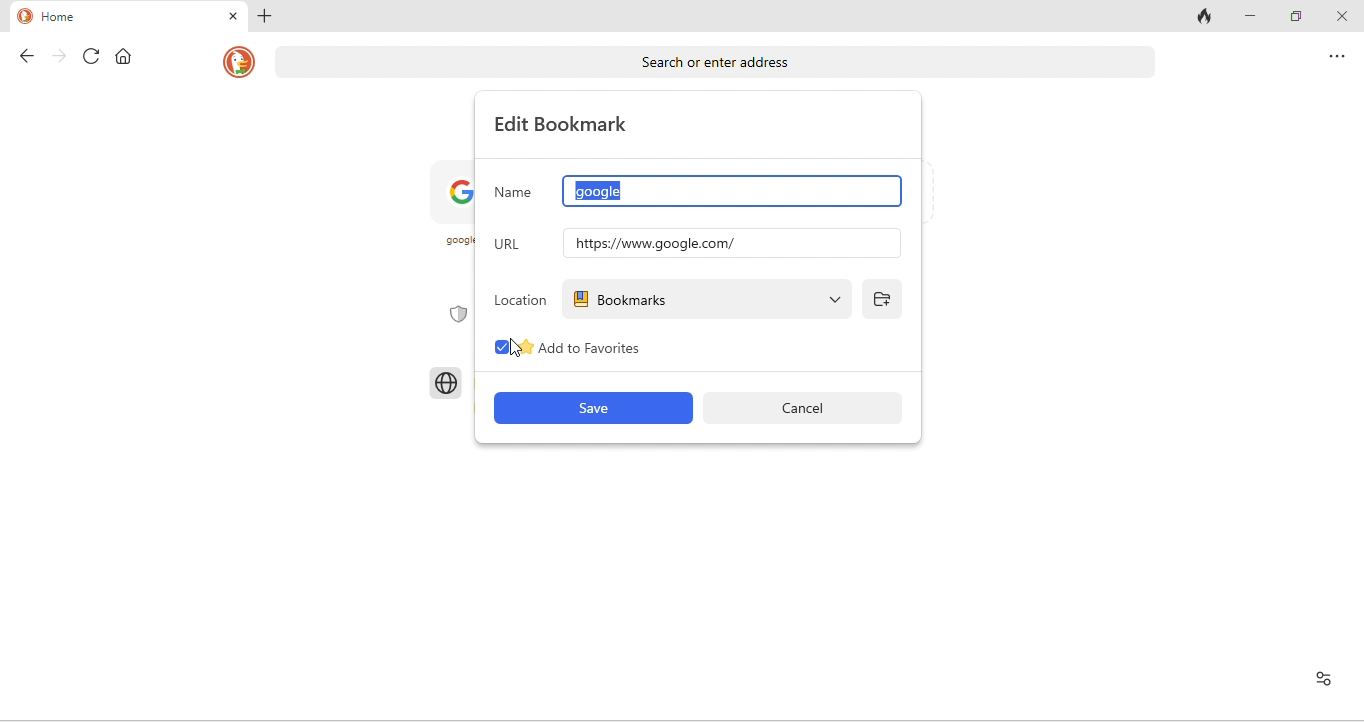 The width and height of the screenshot is (1364, 722). What do you see at coordinates (52, 57) in the screenshot?
I see `forward` at bounding box center [52, 57].